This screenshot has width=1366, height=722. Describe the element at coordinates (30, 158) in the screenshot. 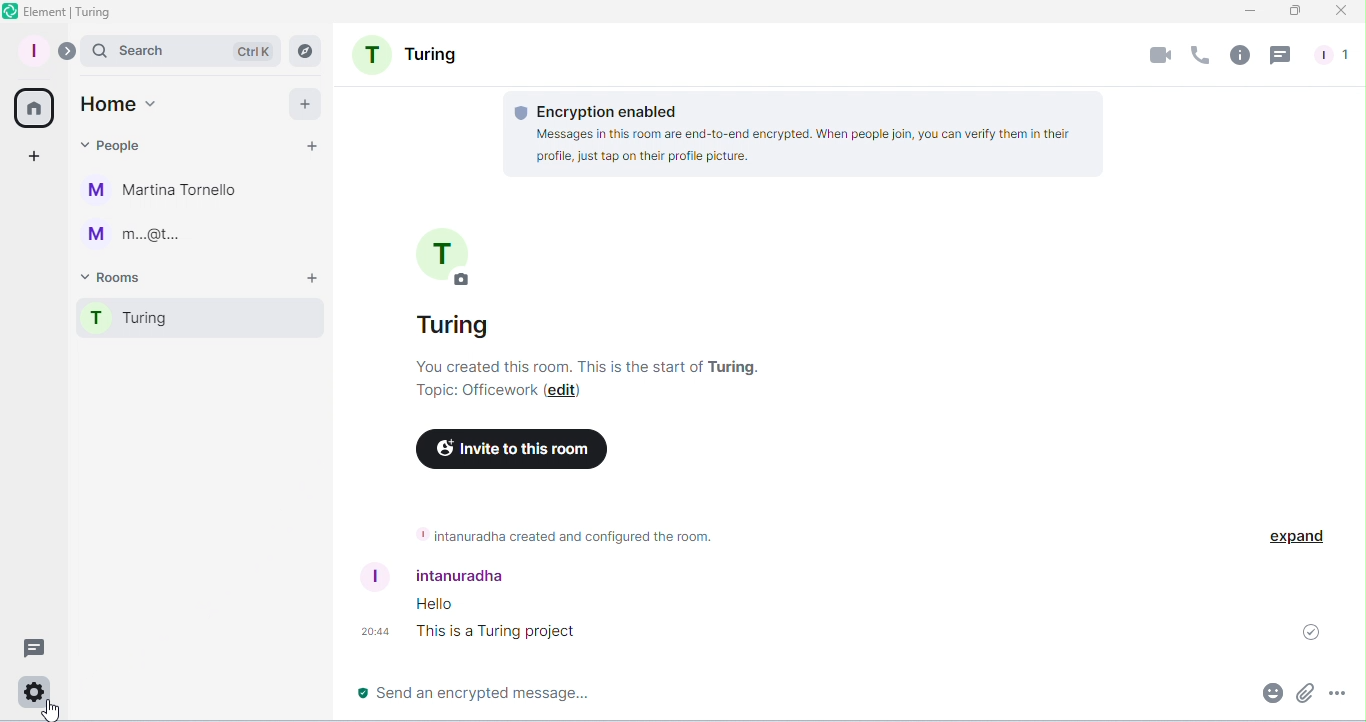

I see `Create a space` at that location.